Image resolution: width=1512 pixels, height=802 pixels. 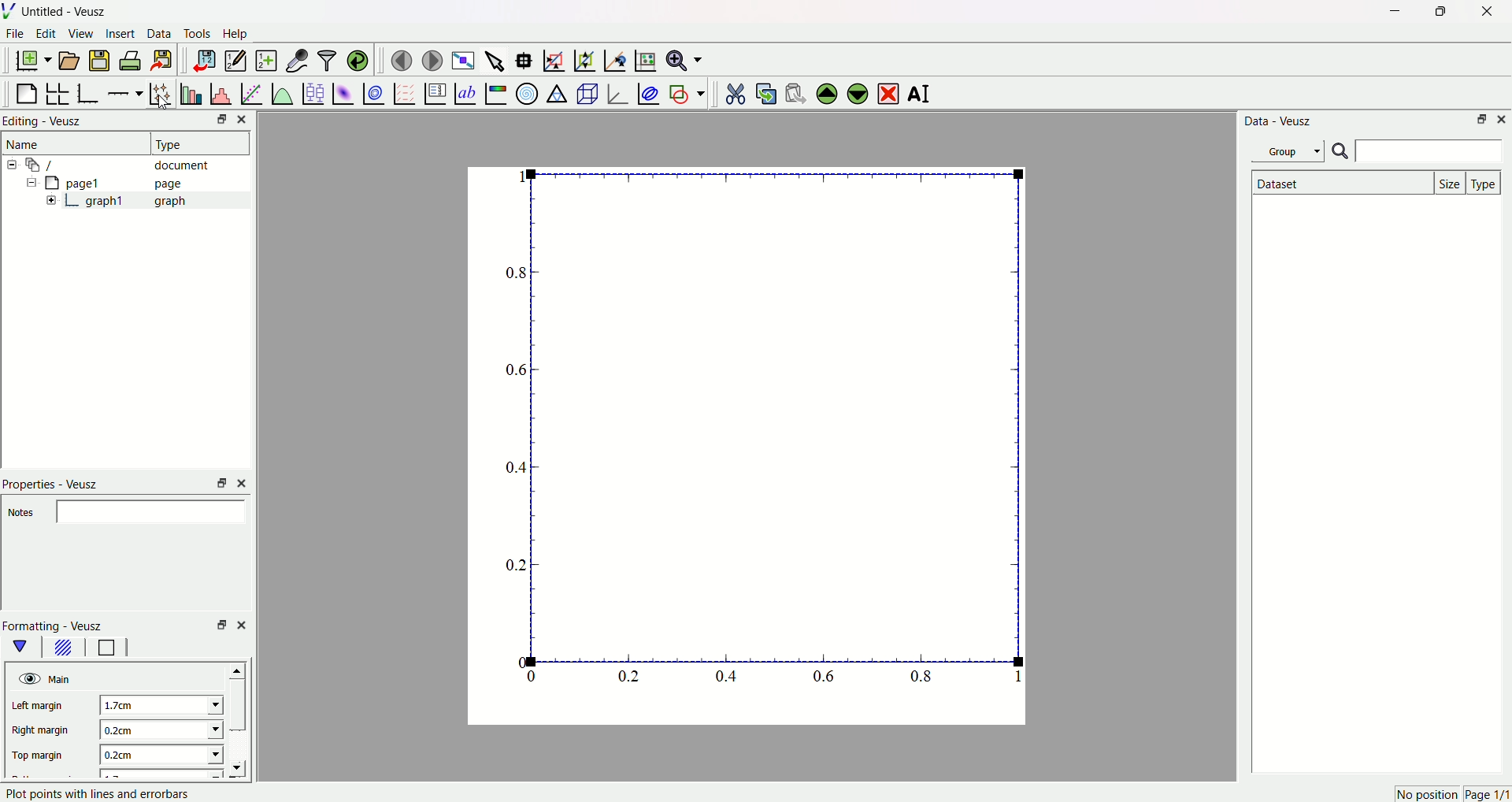 What do you see at coordinates (28, 184) in the screenshot?
I see `collapse` at bounding box center [28, 184].